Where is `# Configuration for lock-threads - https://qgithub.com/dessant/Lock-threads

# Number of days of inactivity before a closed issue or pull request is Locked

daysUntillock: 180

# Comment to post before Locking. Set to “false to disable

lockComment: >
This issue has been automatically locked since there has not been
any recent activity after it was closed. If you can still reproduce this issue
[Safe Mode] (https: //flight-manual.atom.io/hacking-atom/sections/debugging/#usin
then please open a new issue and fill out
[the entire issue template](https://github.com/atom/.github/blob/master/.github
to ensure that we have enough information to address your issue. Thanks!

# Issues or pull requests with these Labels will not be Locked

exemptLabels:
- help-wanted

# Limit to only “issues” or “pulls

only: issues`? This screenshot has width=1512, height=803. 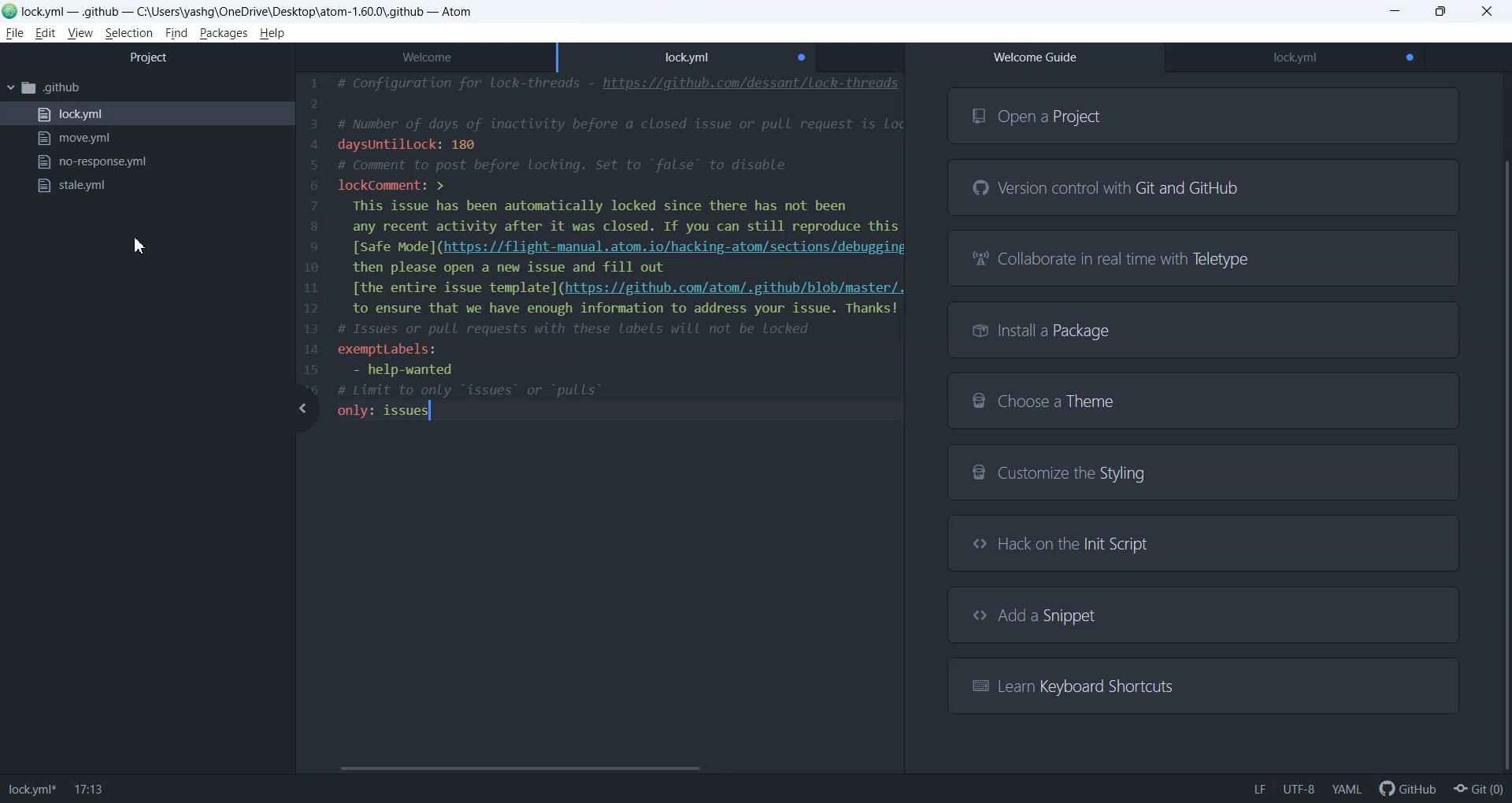
# Configuration for lock-threads - https://qgithub.com/dessant/Lock-threads

# Number of days of inactivity before a closed issue or pull request is Locked

daysUntillock: 180

# Comment to post before Locking. Set to “false to disable

lockComment: >
This issue has been automatically locked since there has not been
any recent activity after it was closed. If you can still reproduce this issue
[Safe Mode] (https: //flight-manual.atom.io/hacking-atom/sections/debugging/#usin
then please open a new issue and fill out
[the entire issue template](https://github.com/atom/.github/blob/master/.github
to ensure that we have enough information to address your issue. Thanks!

# Issues or pull requests with these Labels will not be Locked

exemptLabels:
- help-wanted

# Limit to only “issues” or “pulls

only: issues is located at coordinates (619, 247).